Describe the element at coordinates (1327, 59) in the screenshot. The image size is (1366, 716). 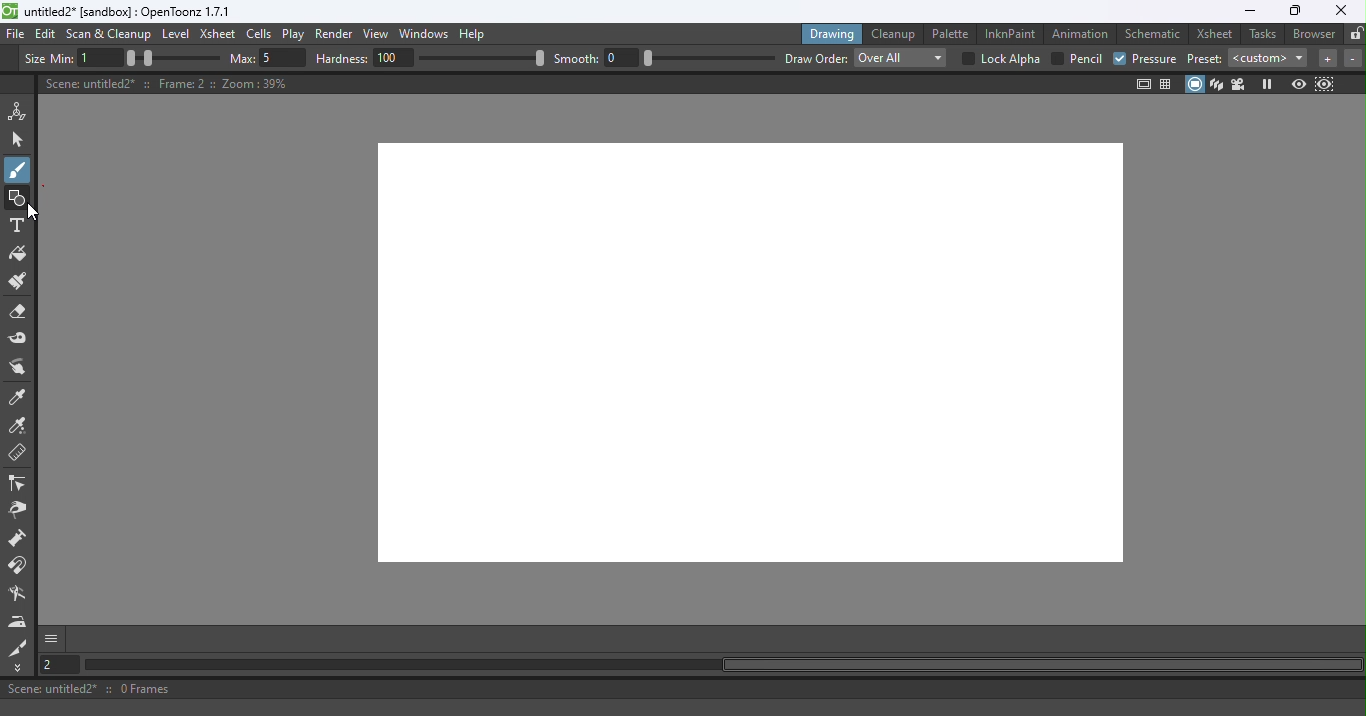
I see `increase` at that location.